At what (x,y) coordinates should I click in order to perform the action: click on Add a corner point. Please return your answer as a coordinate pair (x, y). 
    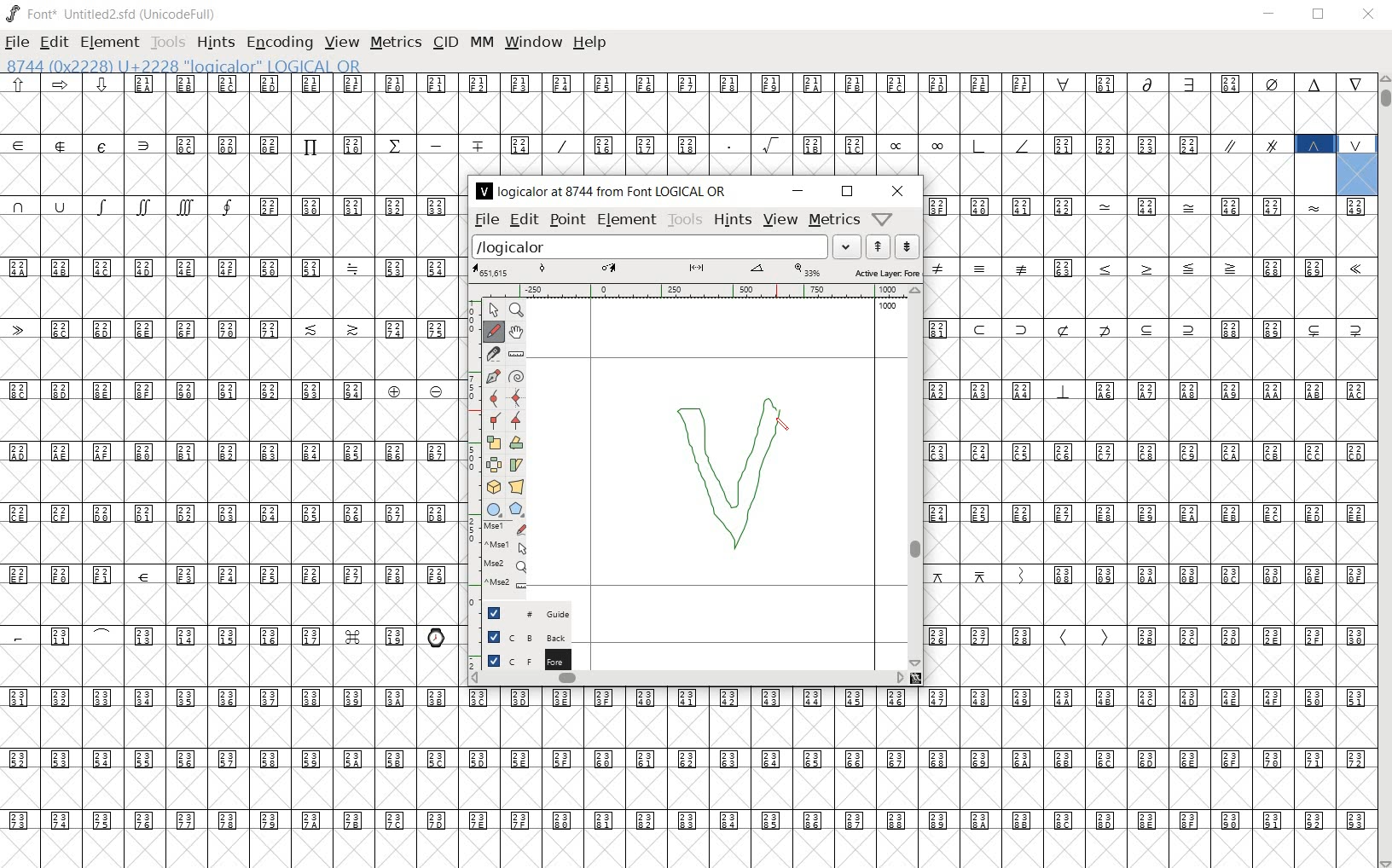
    Looking at the image, I should click on (495, 422).